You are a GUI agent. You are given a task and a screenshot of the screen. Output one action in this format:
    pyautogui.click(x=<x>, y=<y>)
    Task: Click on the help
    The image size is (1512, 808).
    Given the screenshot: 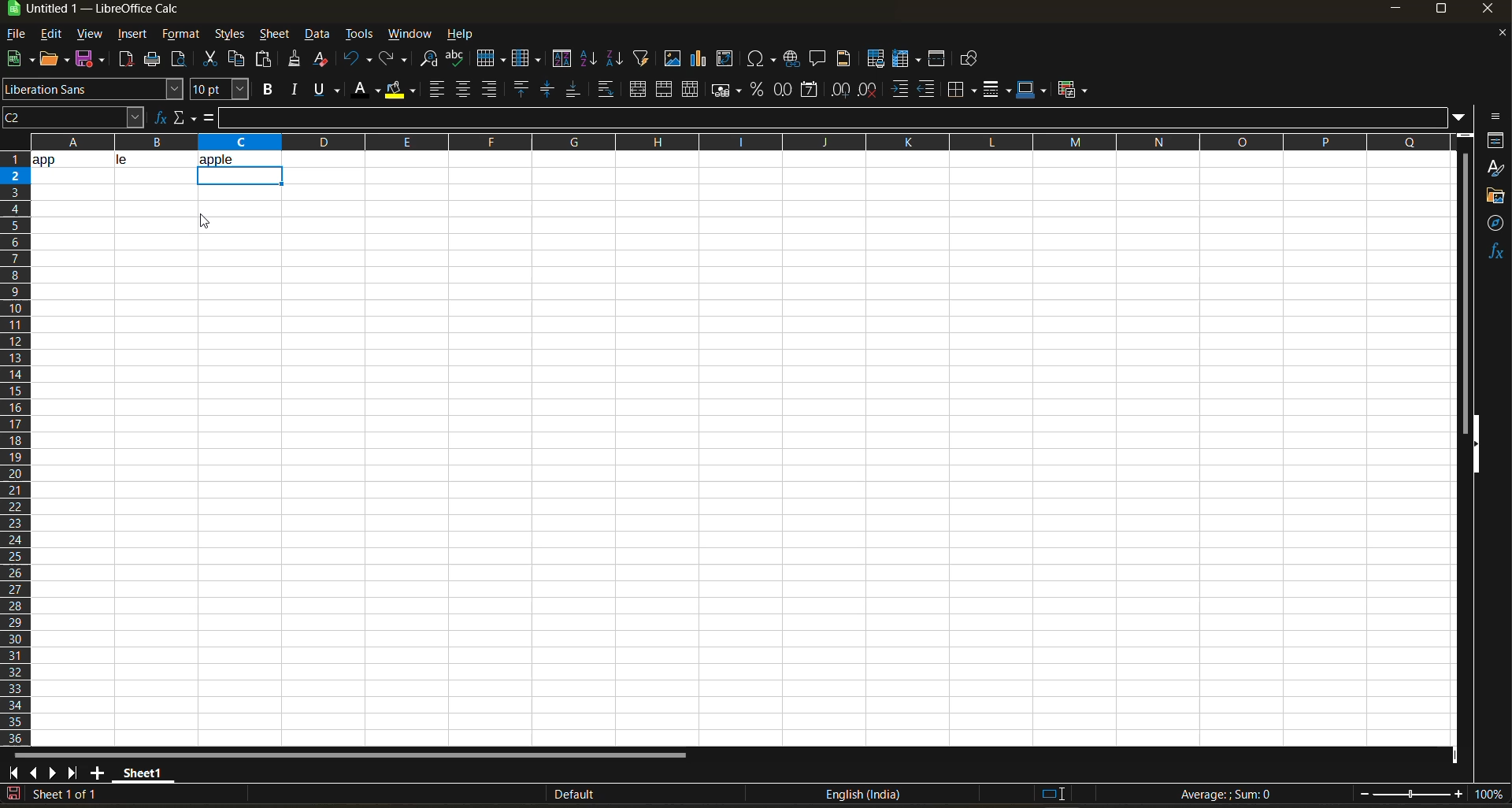 What is the action you would take?
    pyautogui.click(x=465, y=35)
    